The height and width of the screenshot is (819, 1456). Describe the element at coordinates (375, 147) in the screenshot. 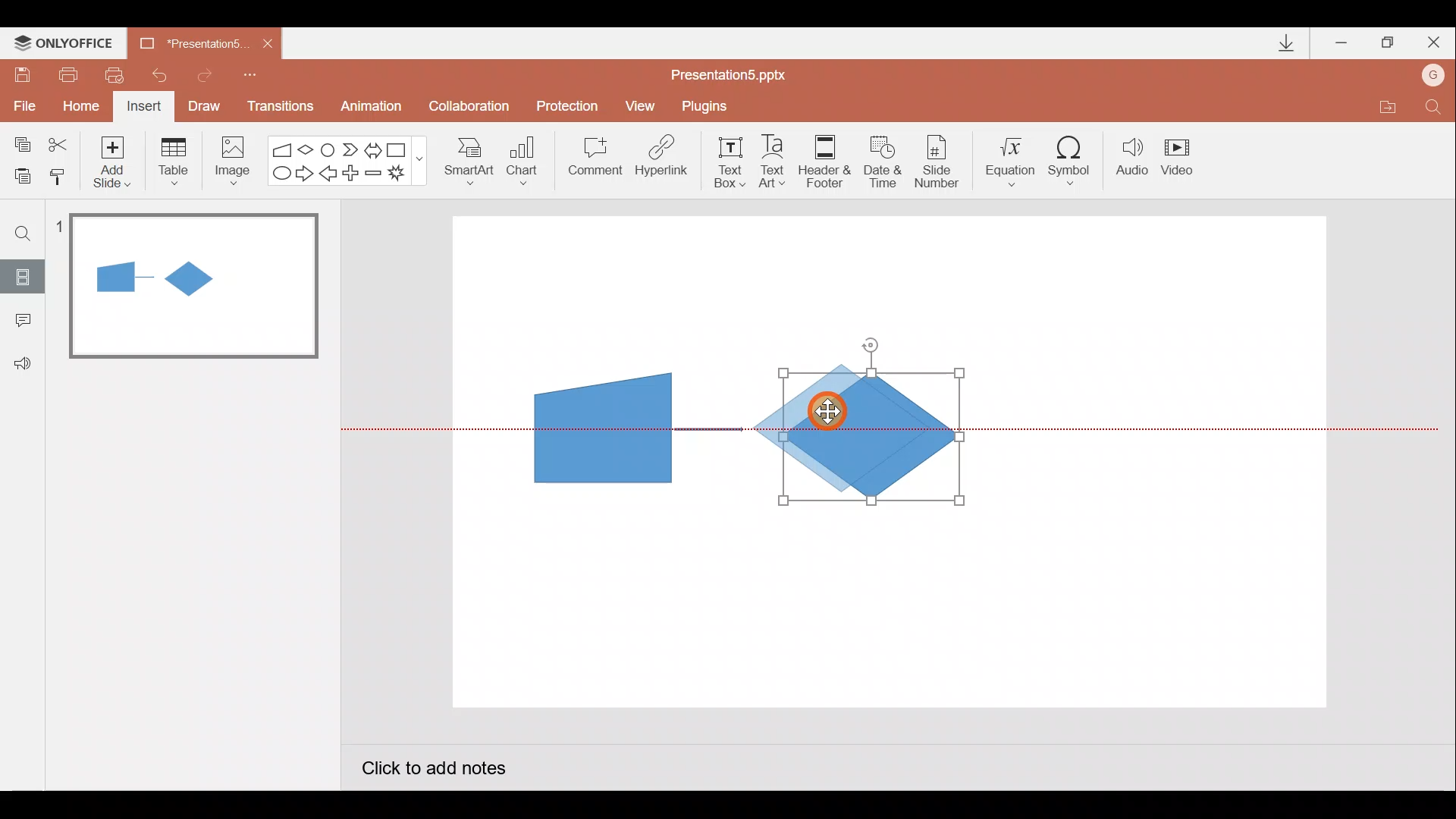

I see `Left right arrow` at that location.